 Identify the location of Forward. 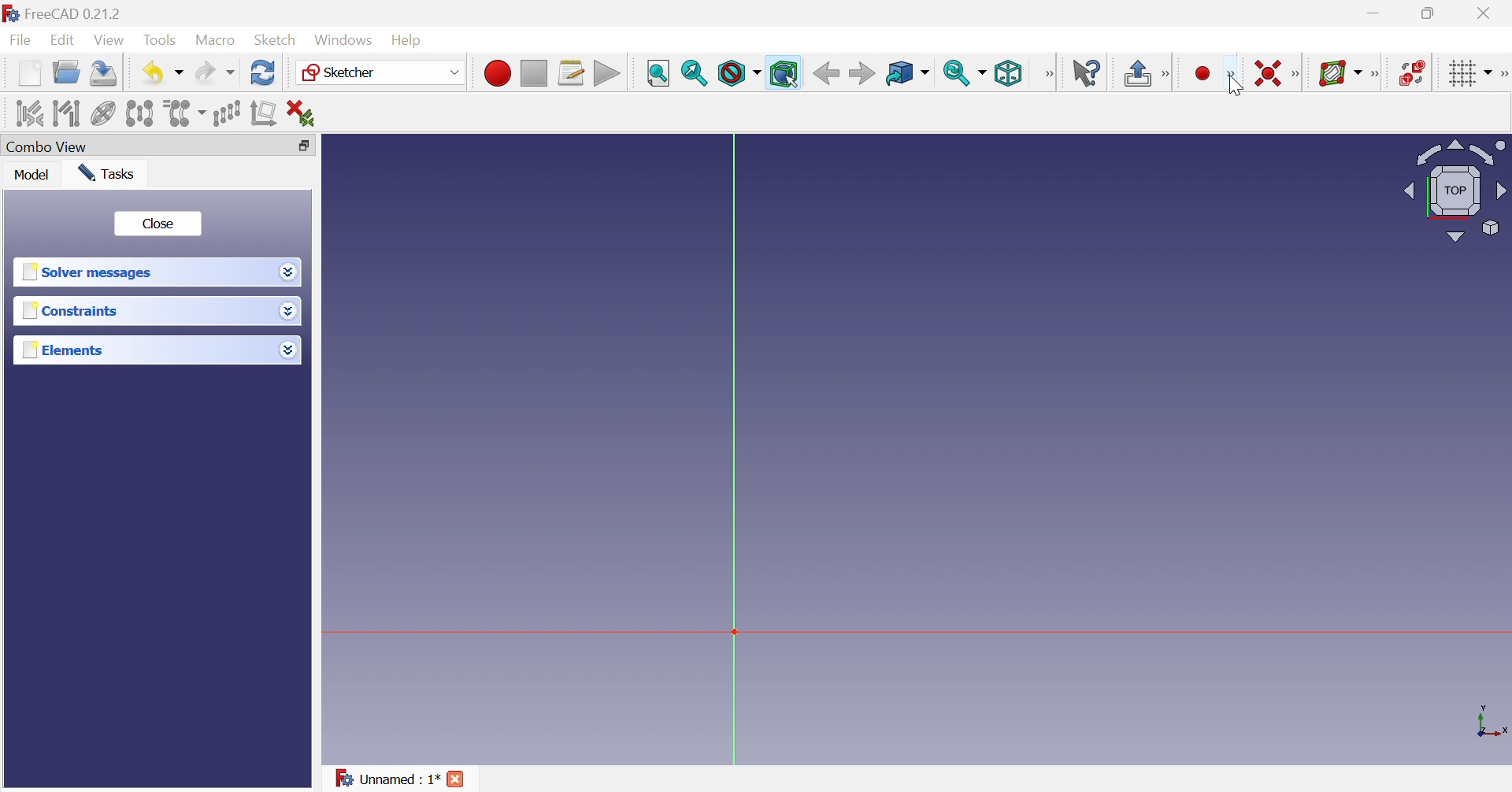
(862, 74).